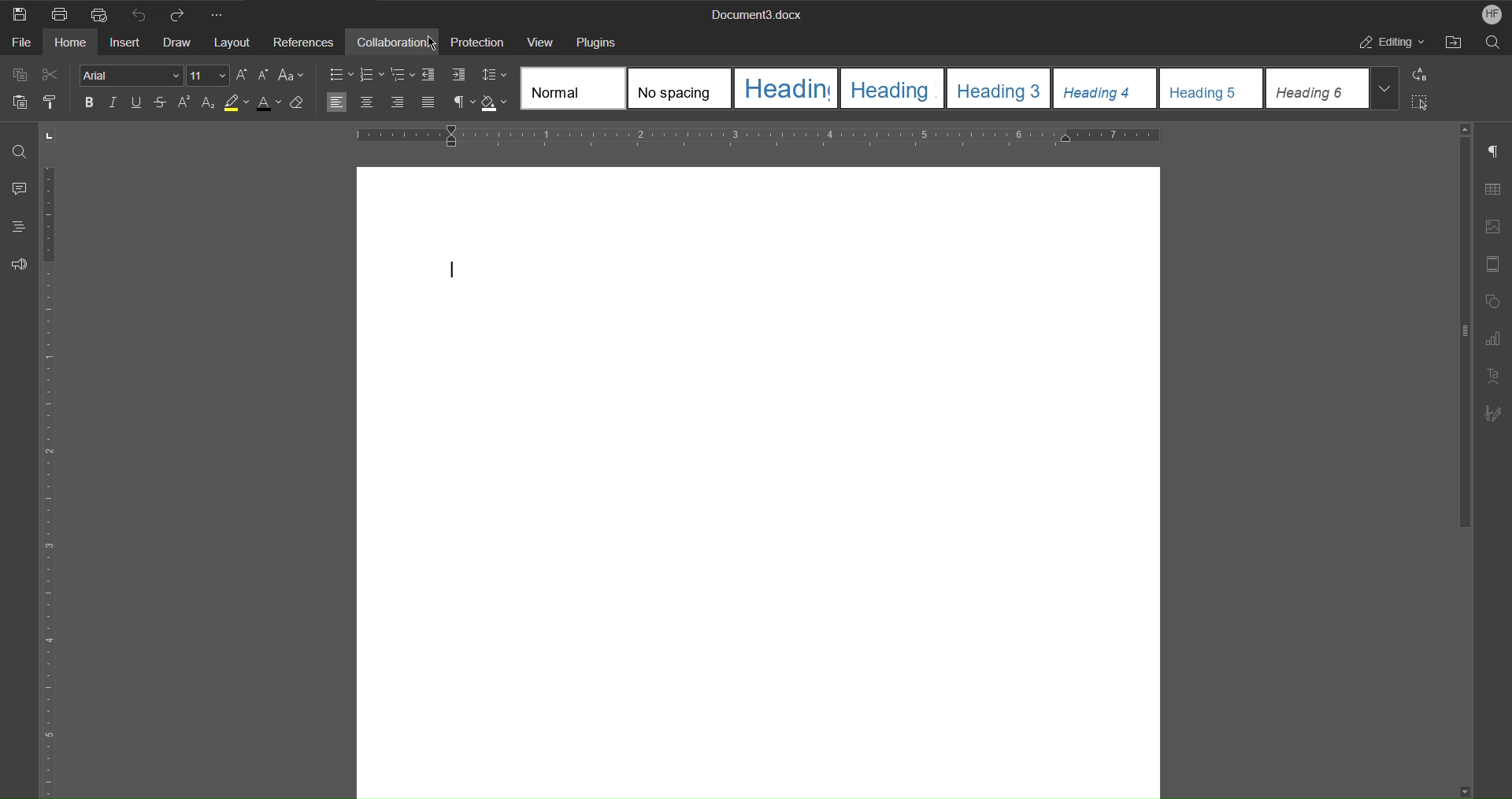  I want to click on Shading, so click(495, 102).